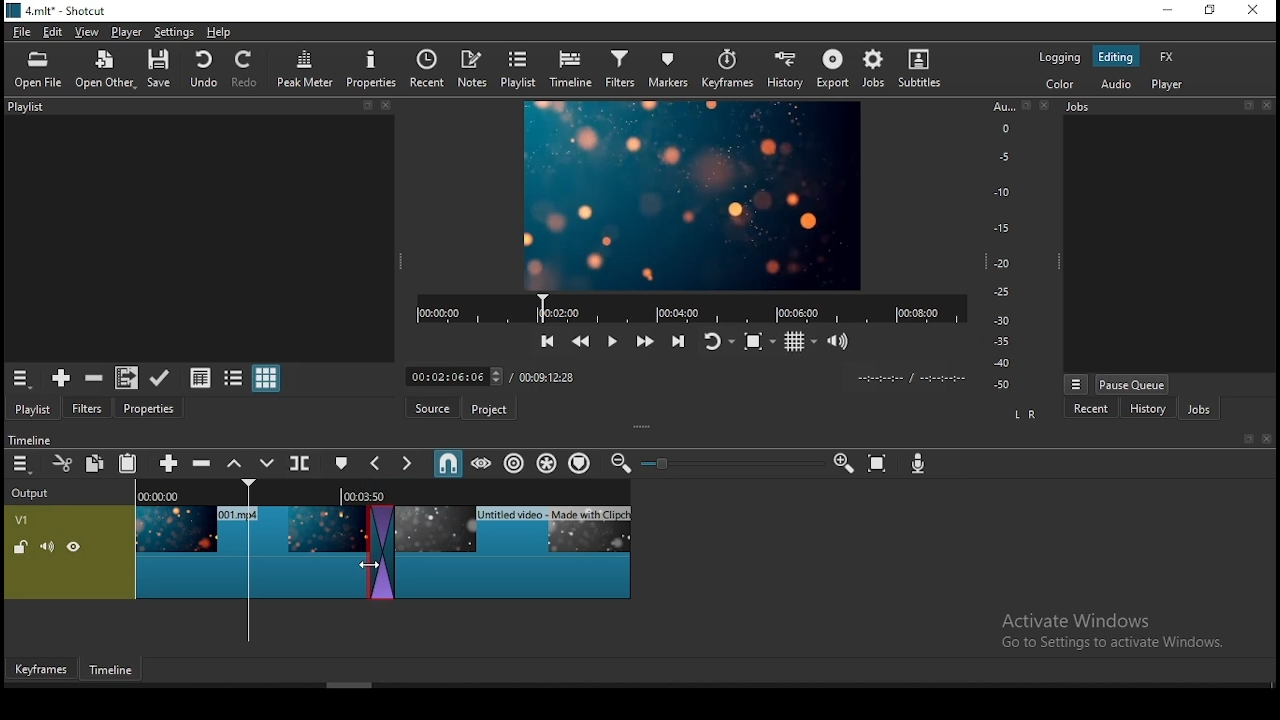 The image size is (1280, 720). Describe the element at coordinates (1093, 407) in the screenshot. I see `recent` at that location.